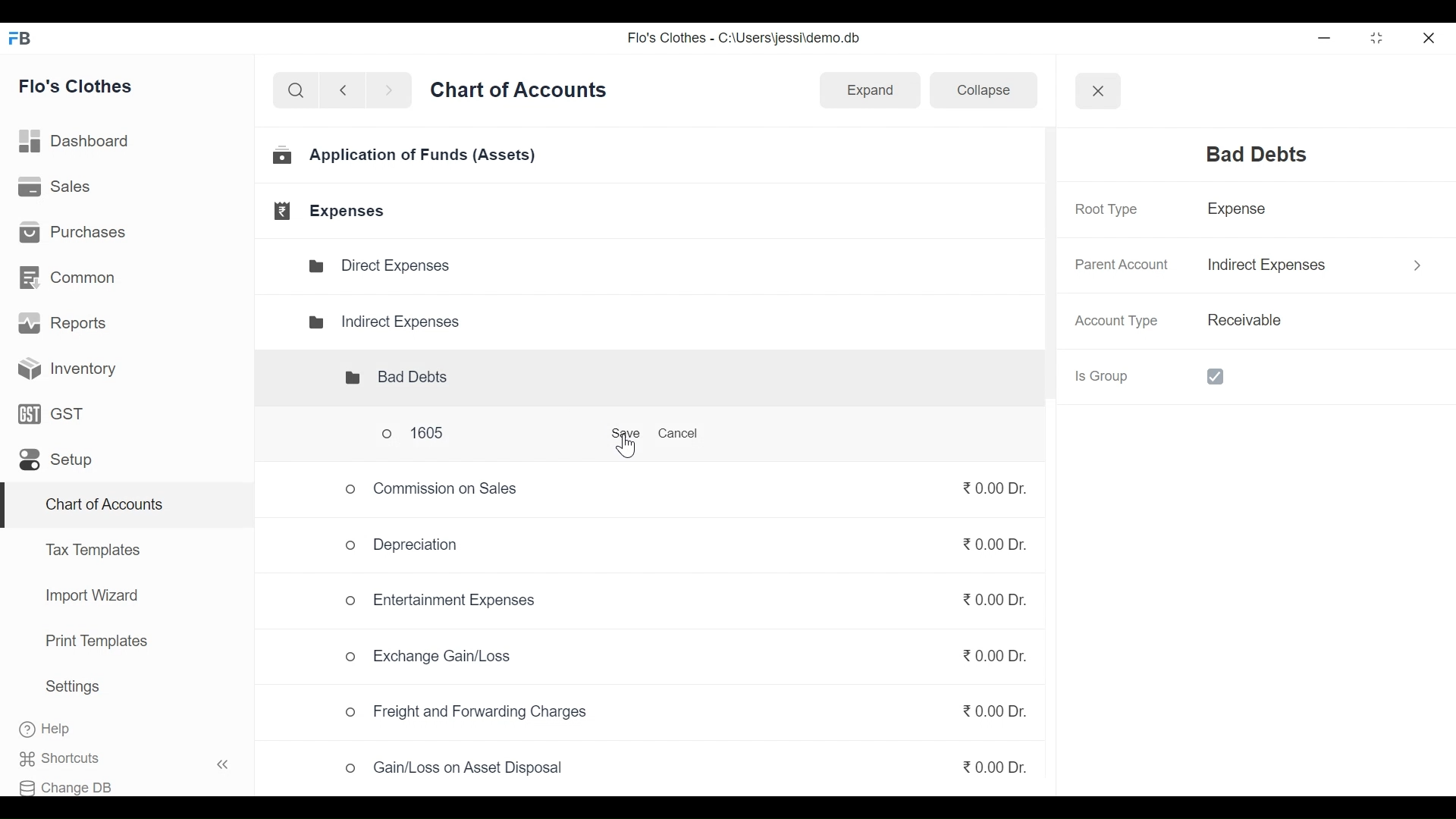 This screenshot has height=819, width=1456. I want to click on minimize, so click(1327, 38).